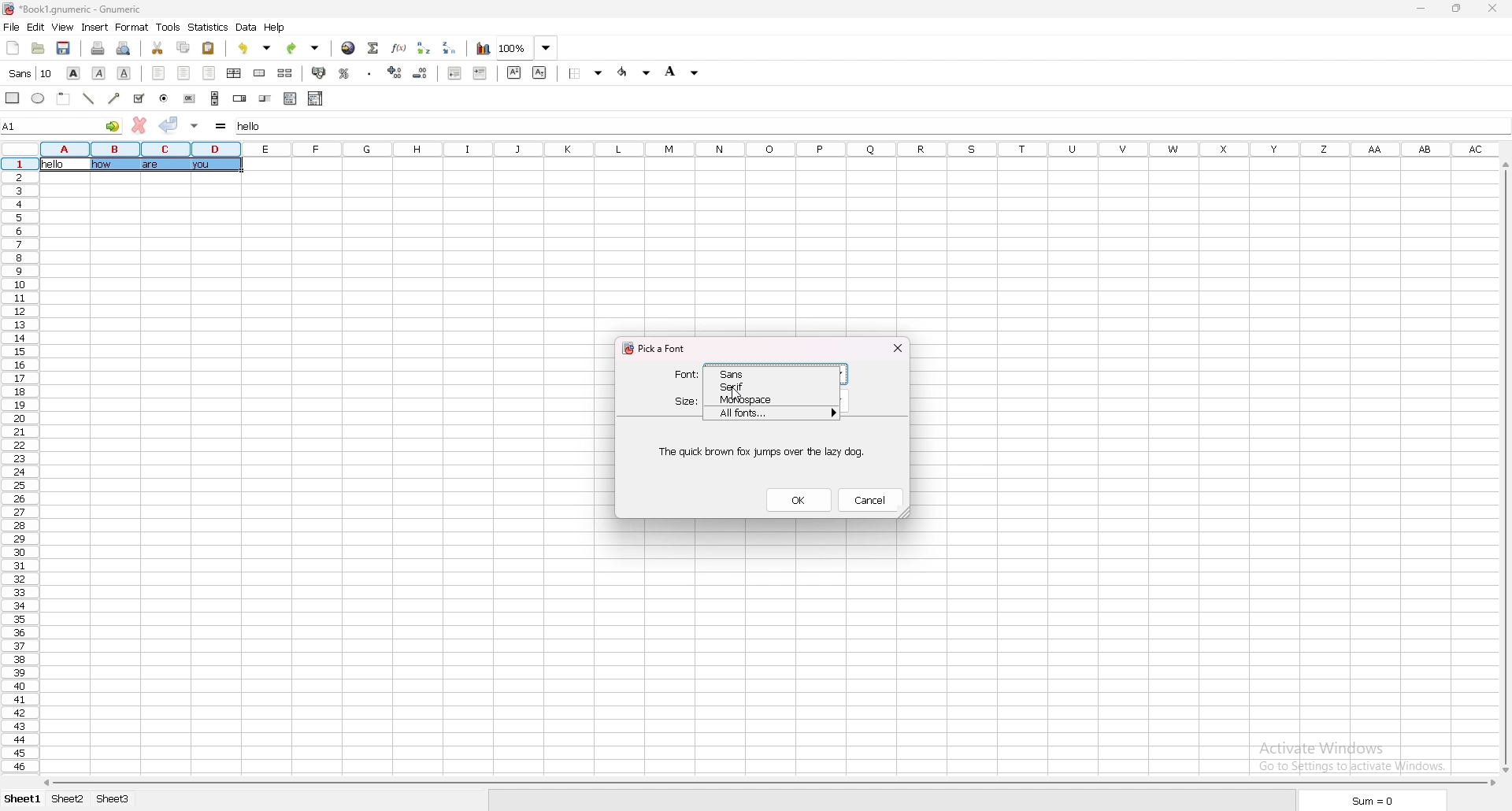  I want to click on sheet, so click(115, 798).